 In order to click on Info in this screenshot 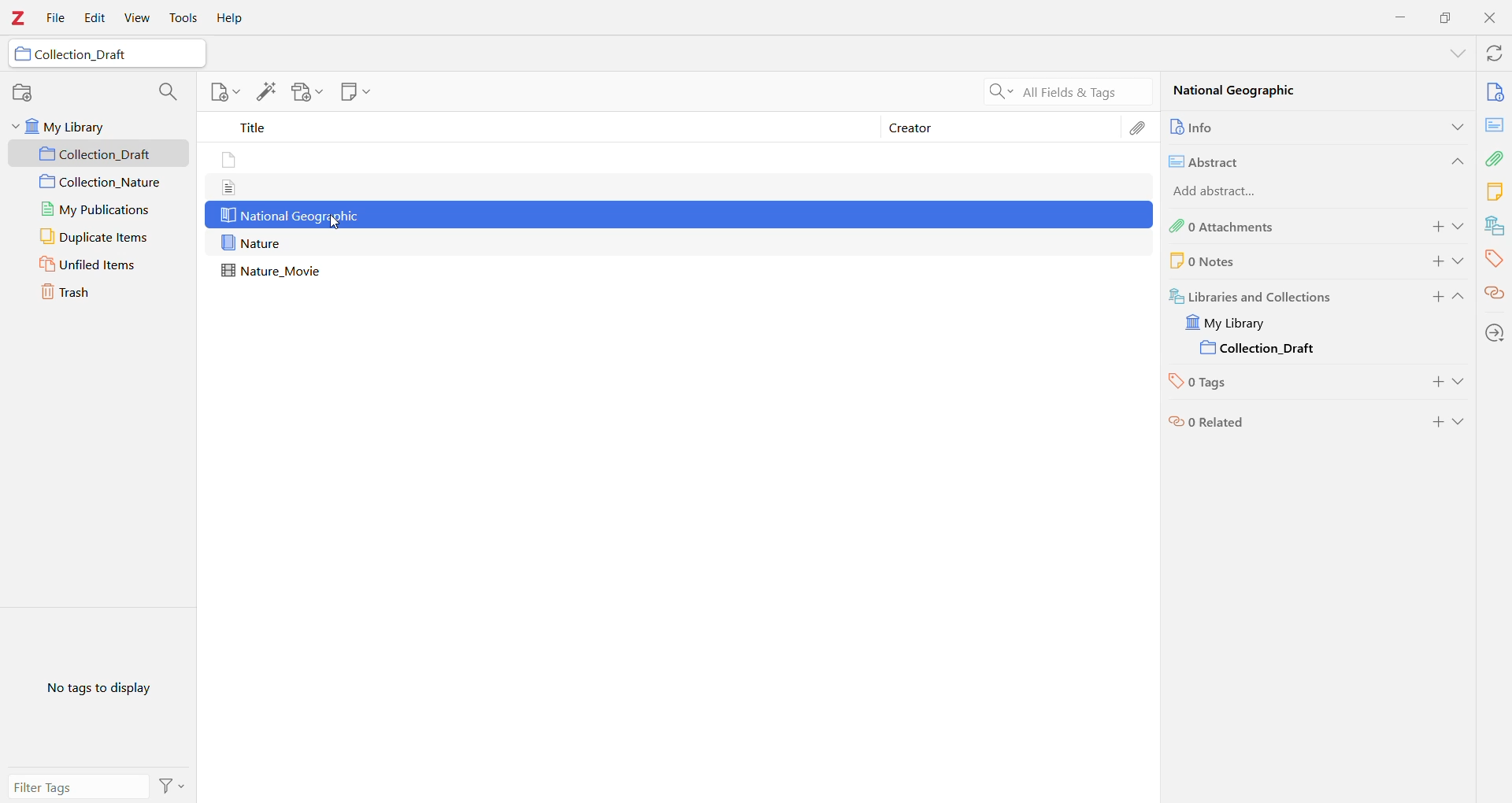, I will do `click(1278, 126)`.